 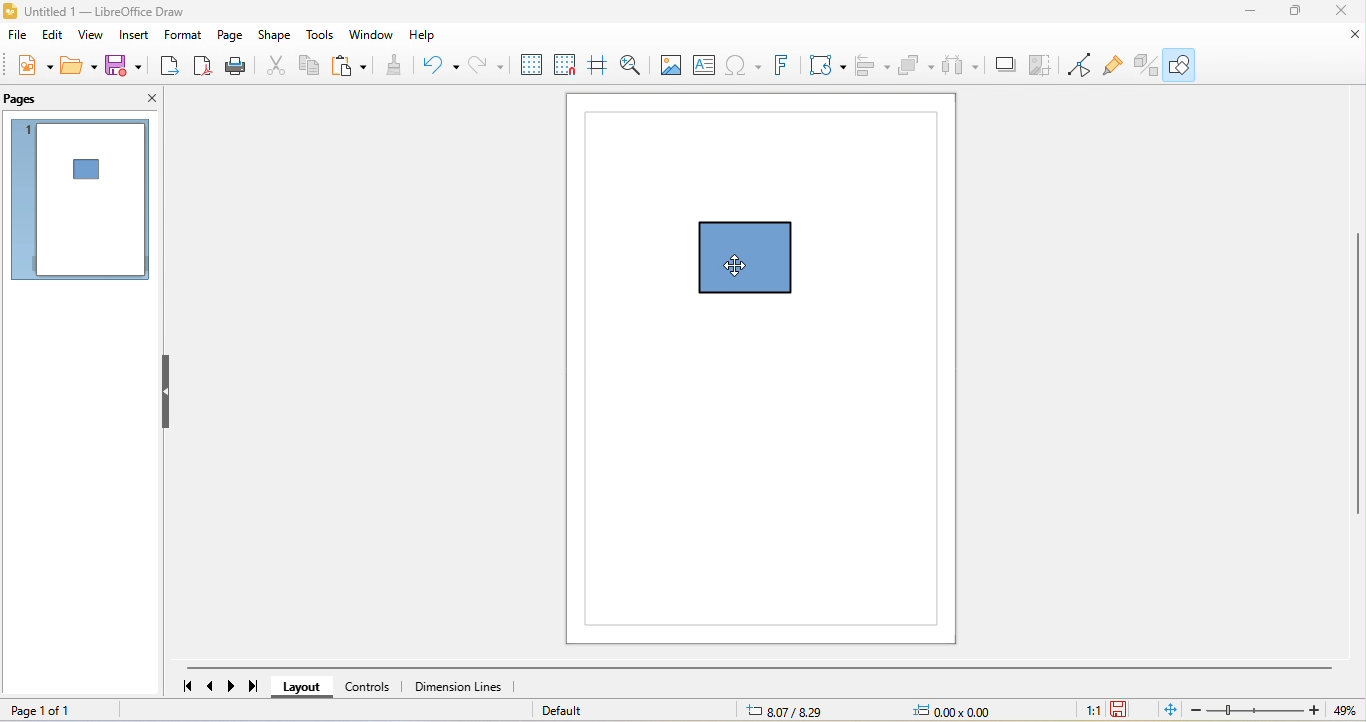 I want to click on special character, so click(x=742, y=67).